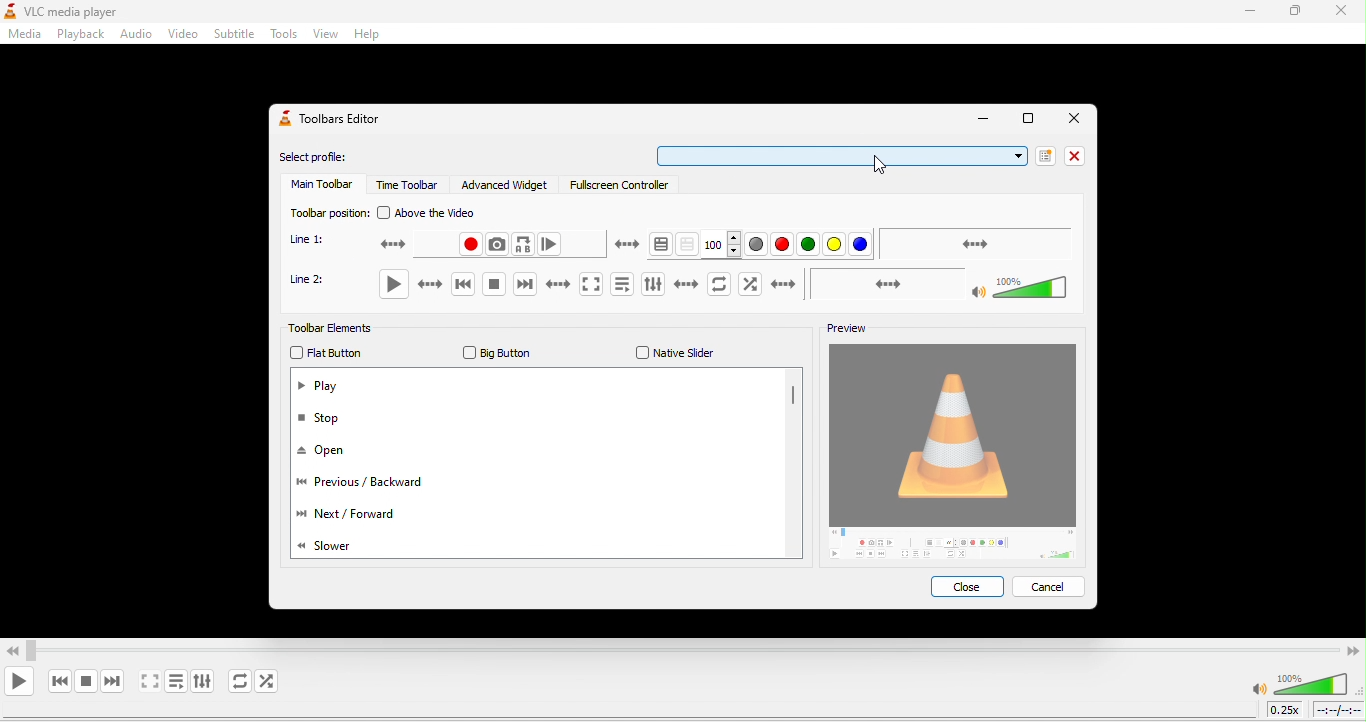 This screenshot has height=722, width=1366. I want to click on volume, so click(1301, 683).